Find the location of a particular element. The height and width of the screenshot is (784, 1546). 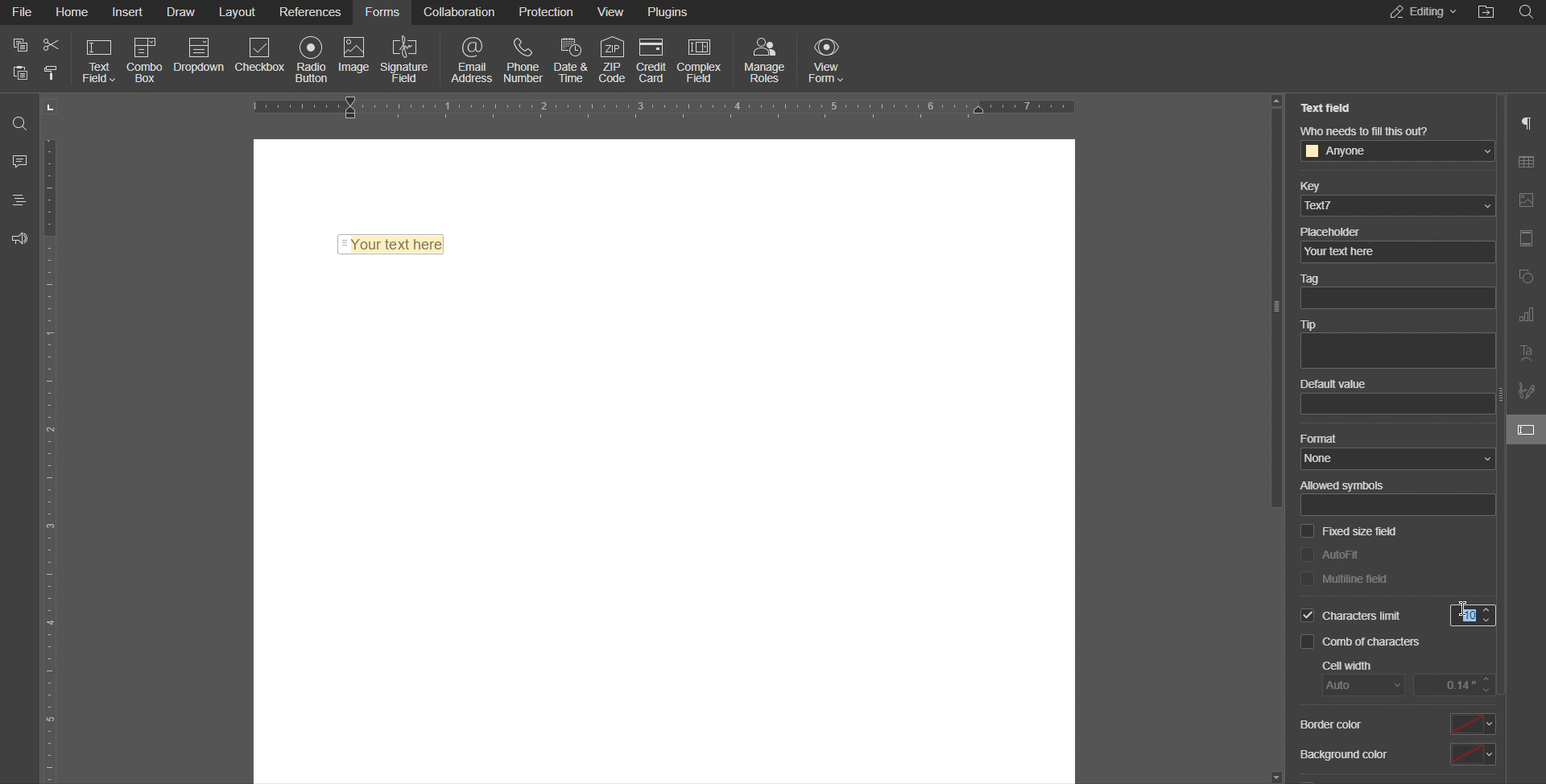

Insert is located at coordinates (130, 13).